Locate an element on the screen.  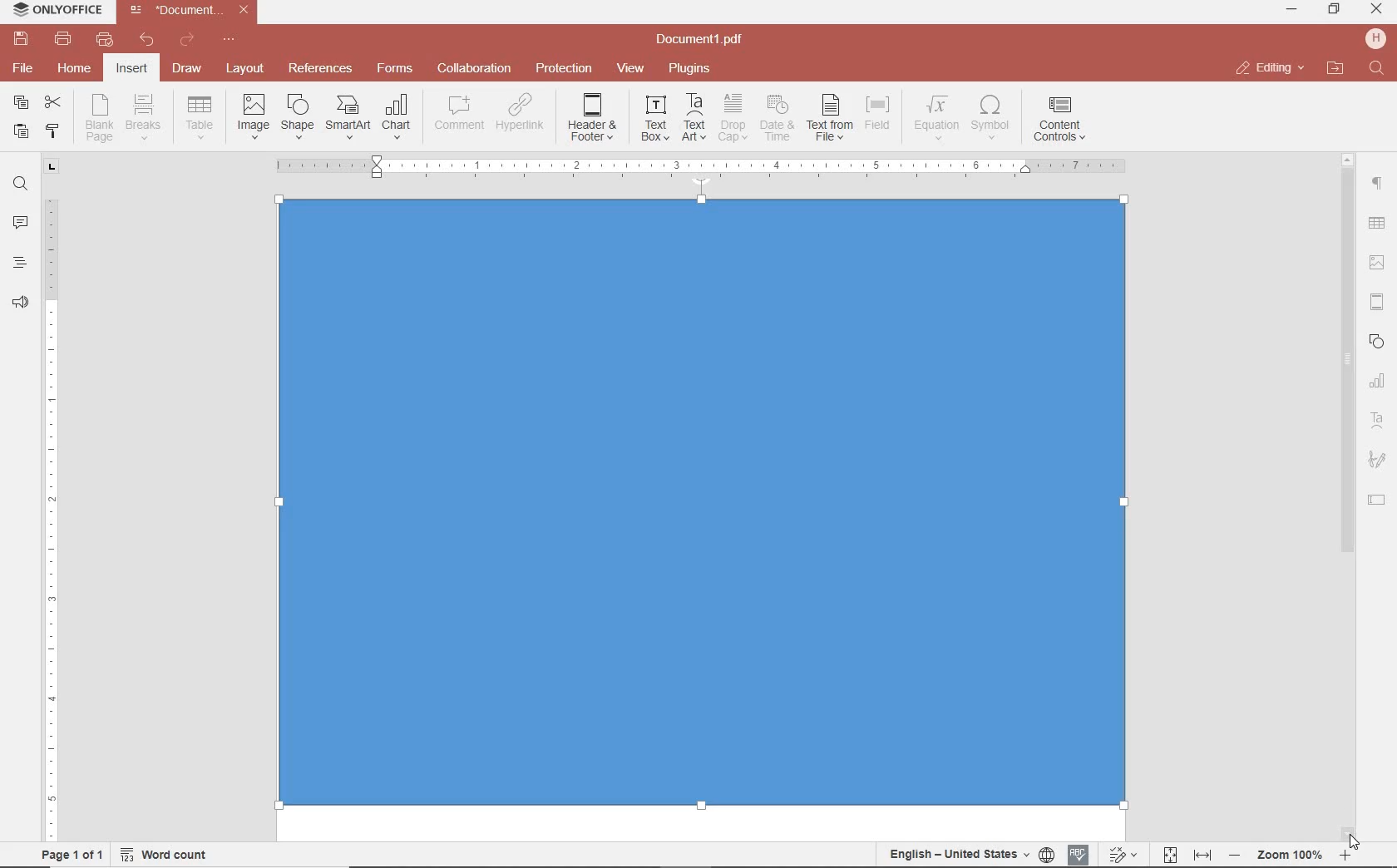
paste is located at coordinates (19, 131).